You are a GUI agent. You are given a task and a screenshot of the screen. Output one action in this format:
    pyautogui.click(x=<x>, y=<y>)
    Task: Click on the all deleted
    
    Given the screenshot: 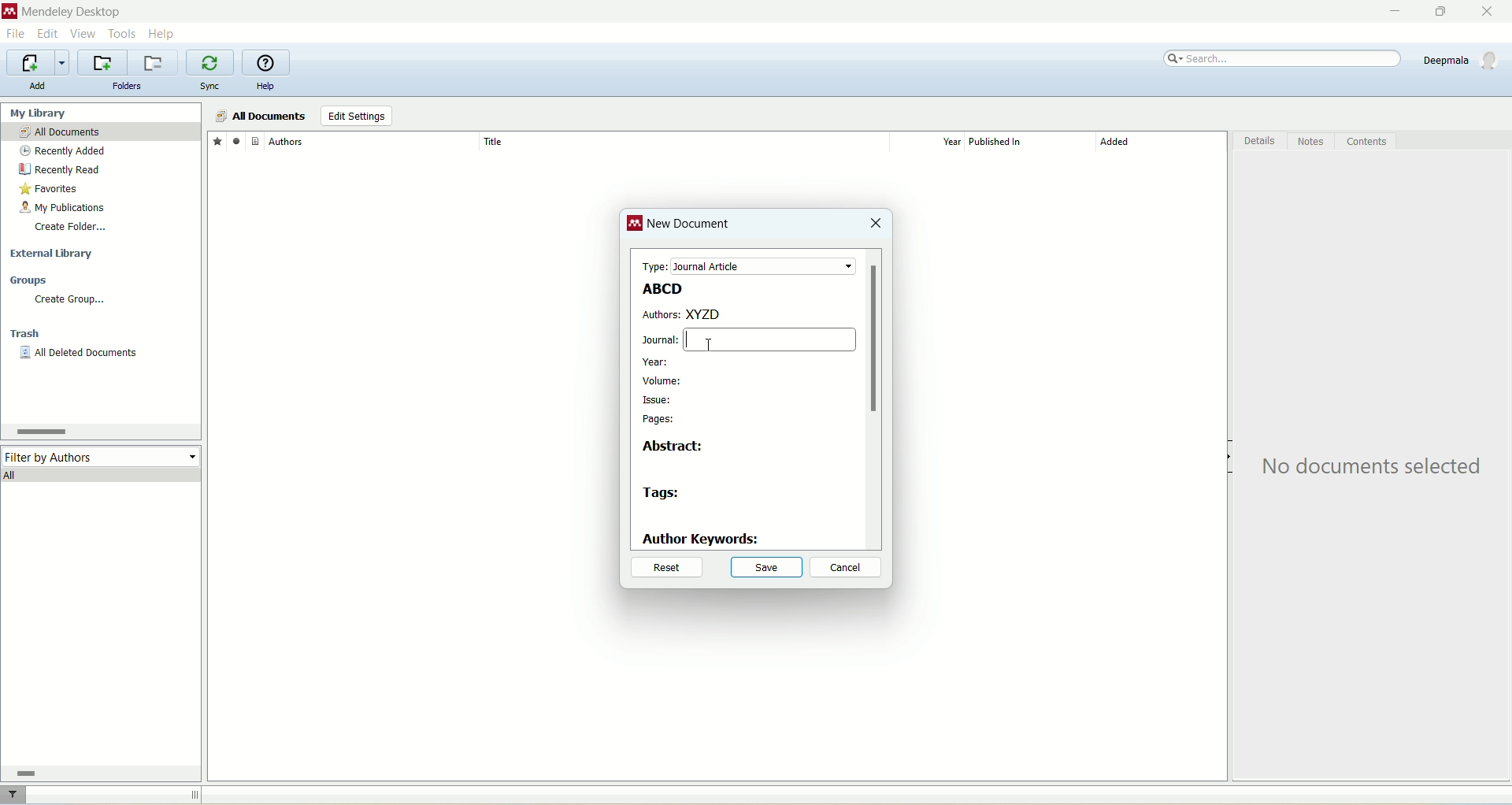 What is the action you would take?
    pyautogui.click(x=80, y=354)
    